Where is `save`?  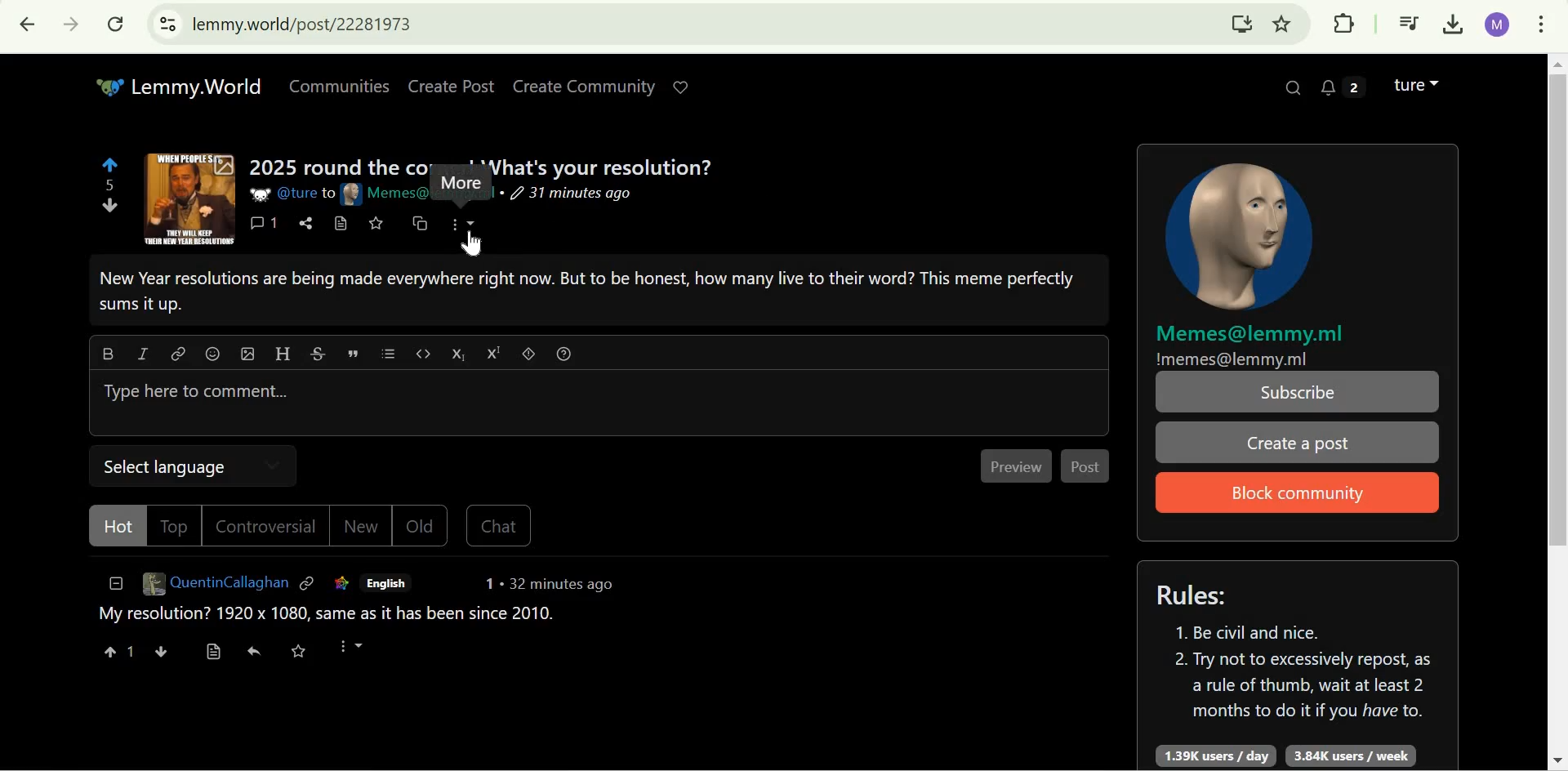
save is located at coordinates (298, 651).